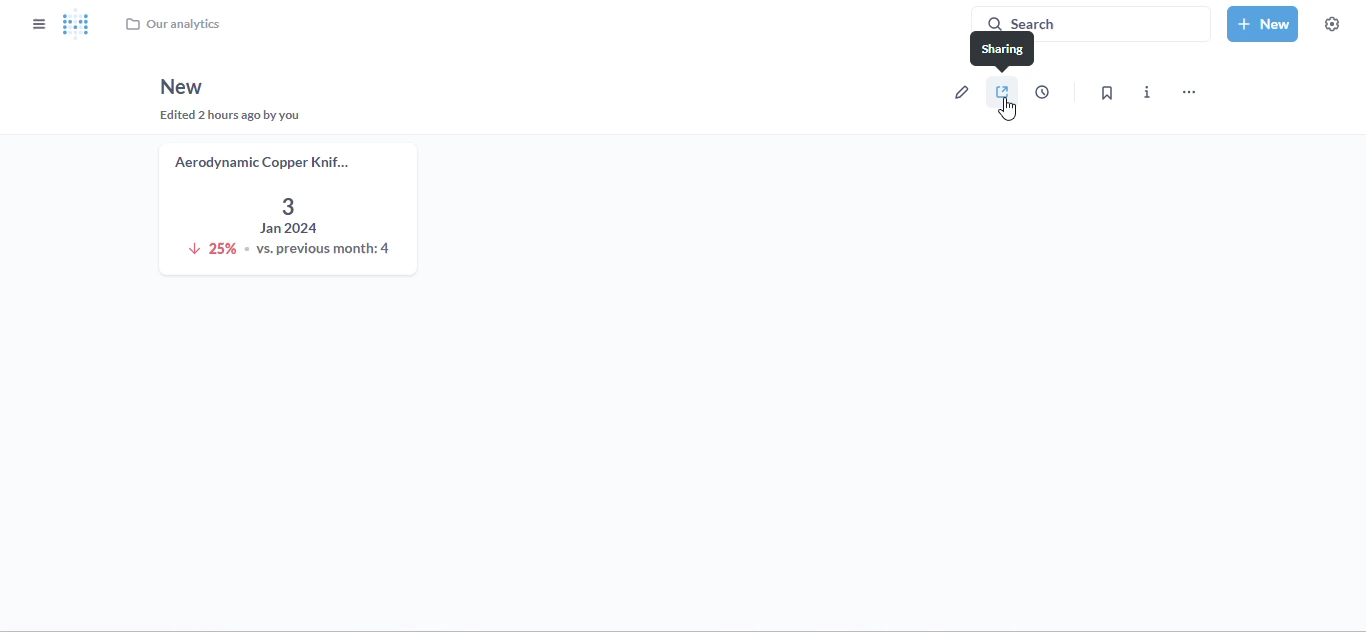  What do you see at coordinates (1042, 91) in the screenshot?
I see `auto-refresh` at bounding box center [1042, 91].